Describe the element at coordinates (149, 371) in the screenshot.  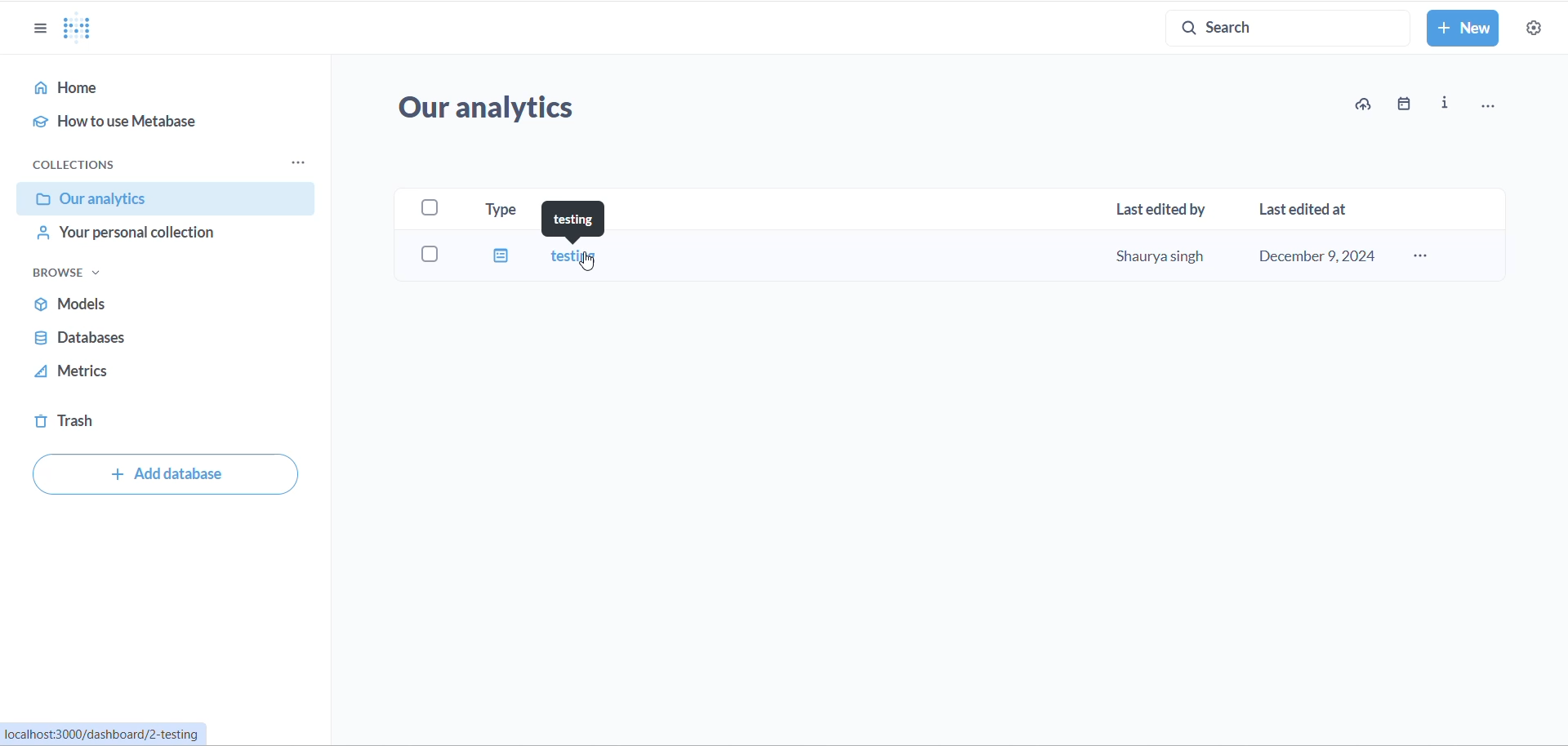
I see `metrics` at that location.